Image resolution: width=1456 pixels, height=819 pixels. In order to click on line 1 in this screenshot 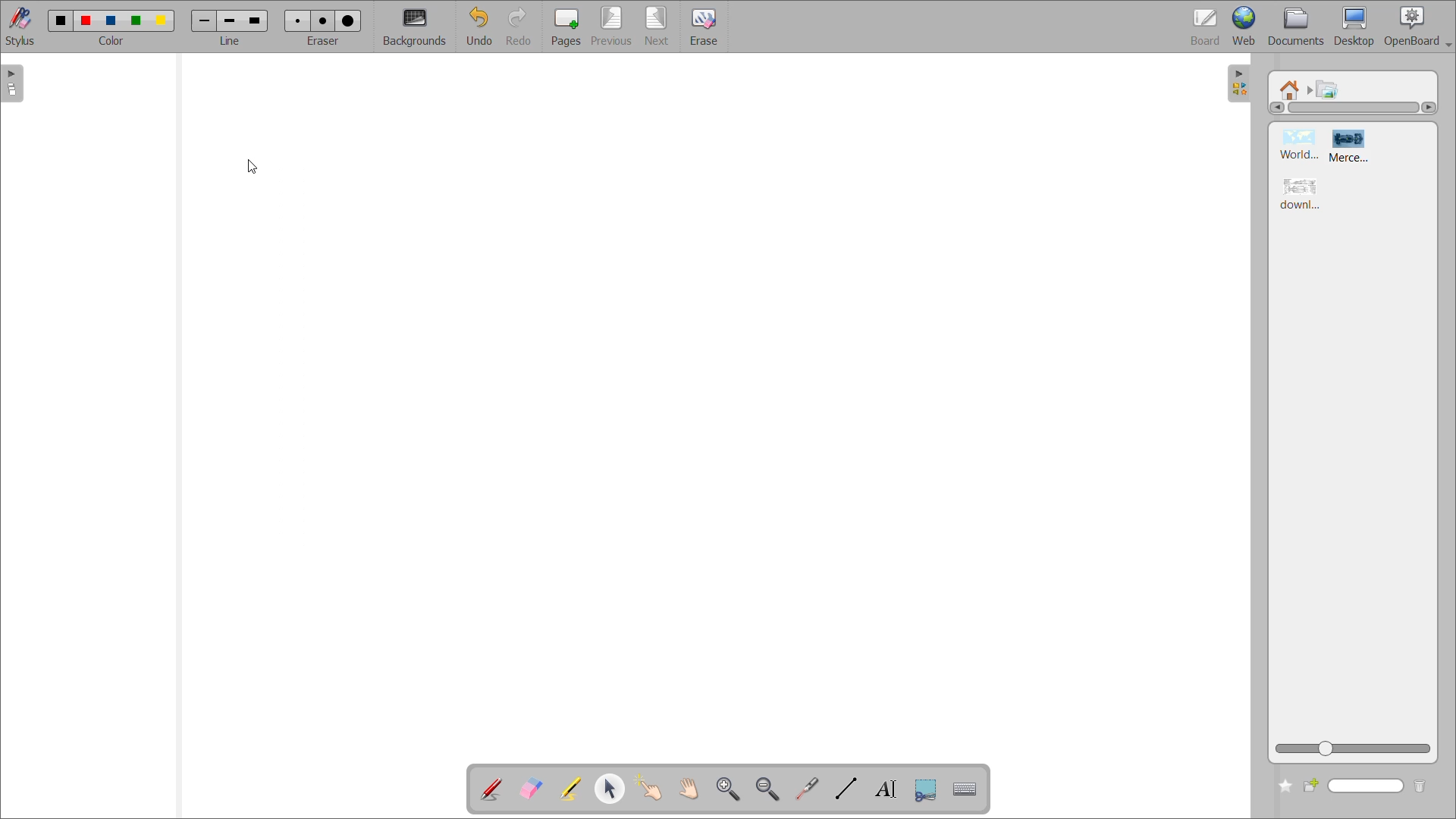, I will do `click(203, 20)`.